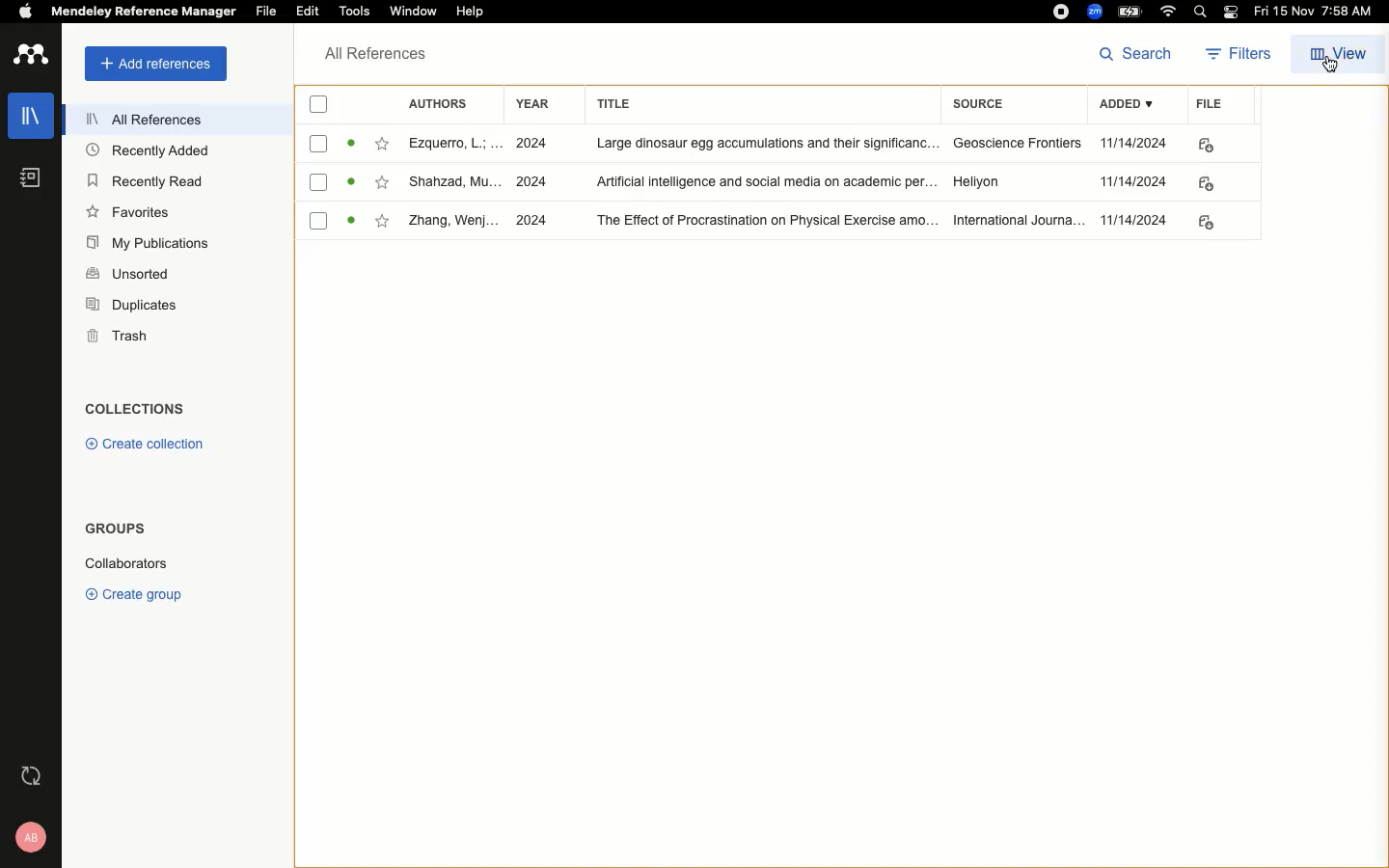 The height and width of the screenshot is (868, 1389). What do you see at coordinates (533, 222) in the screenshot?
I see `2024` at bounding box center [533, 222].